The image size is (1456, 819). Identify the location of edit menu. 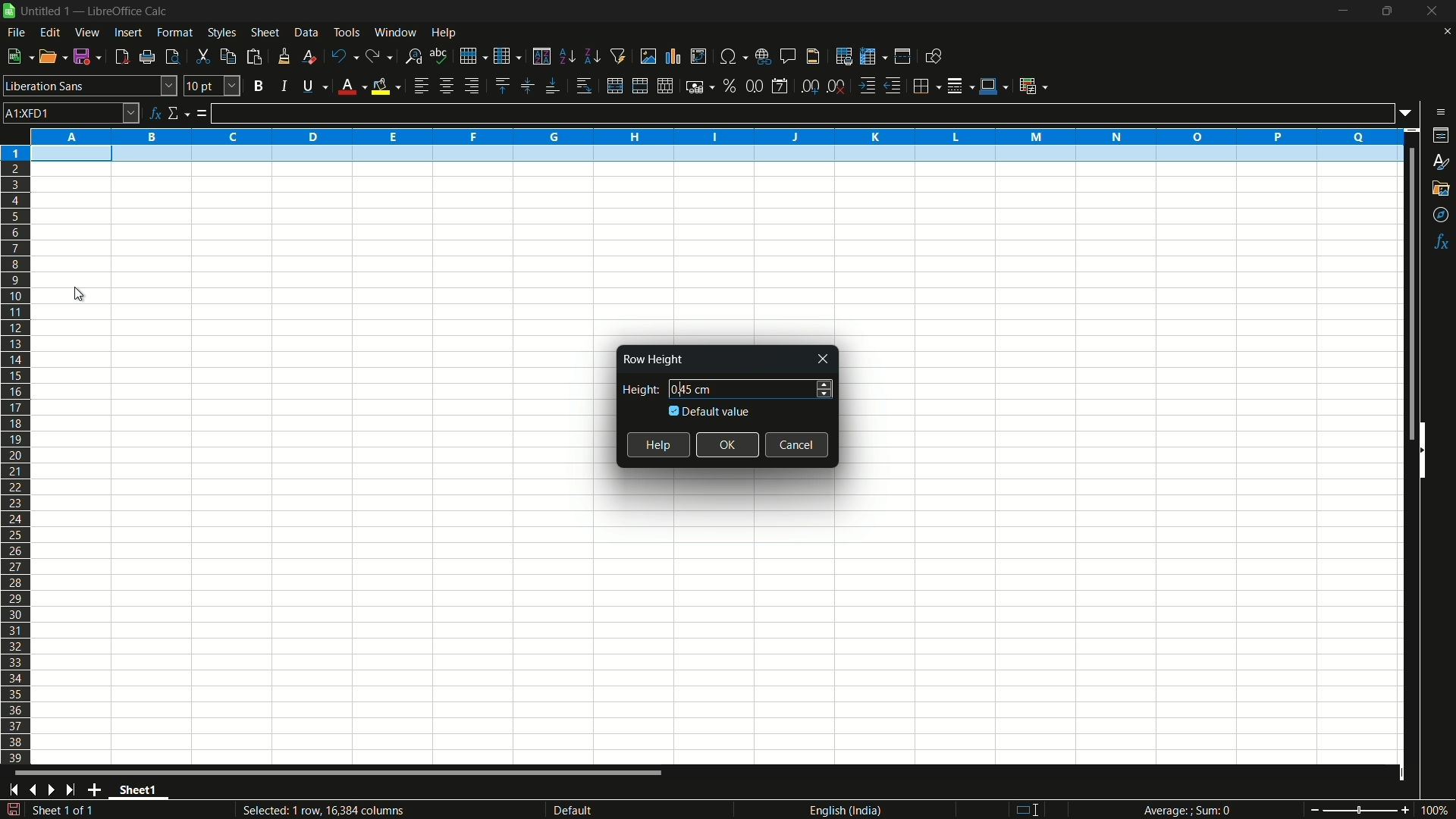
(50, 32).